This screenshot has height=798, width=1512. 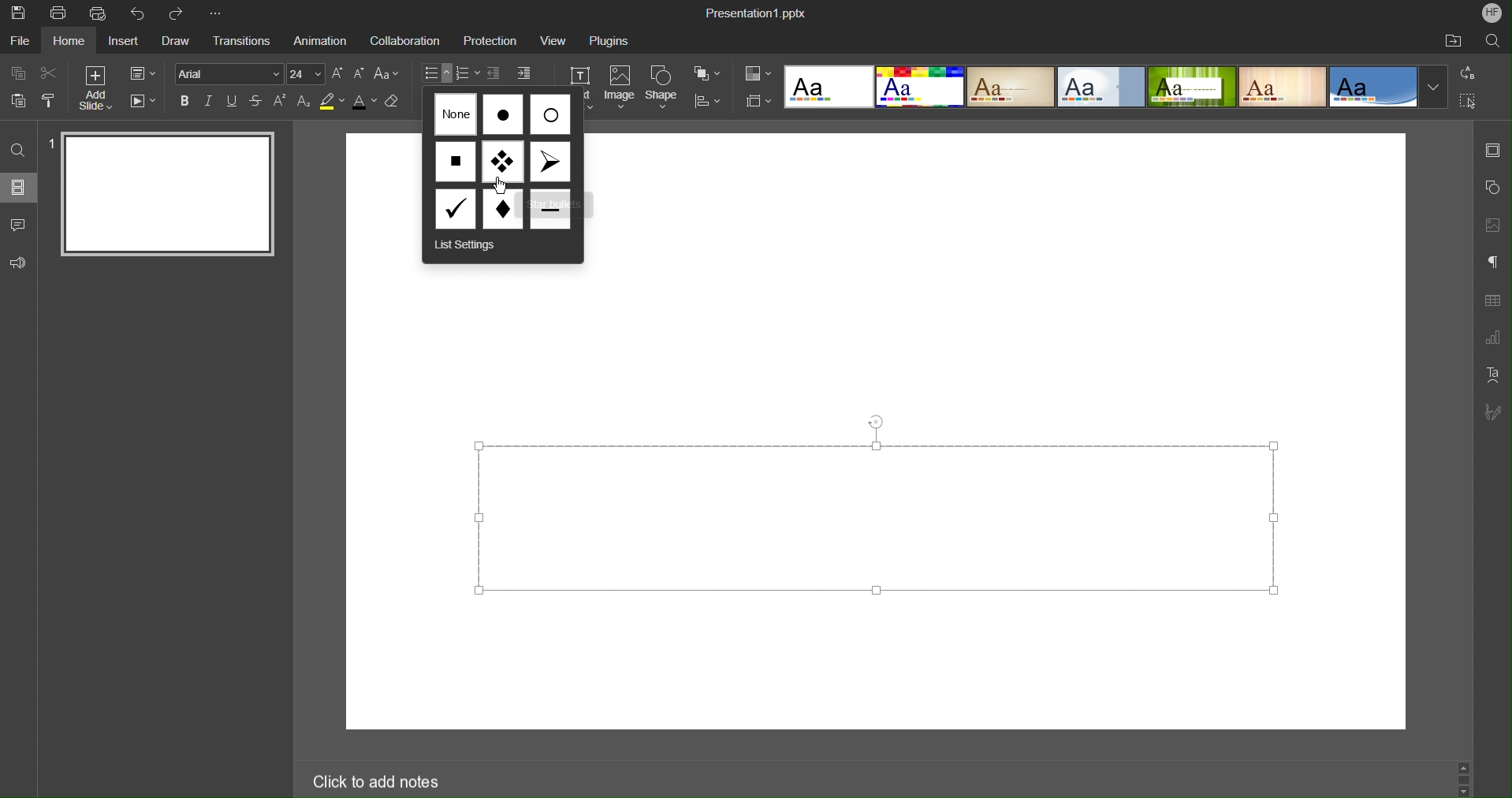 I want to click on scrollbar, so click(x=1463, y=779).